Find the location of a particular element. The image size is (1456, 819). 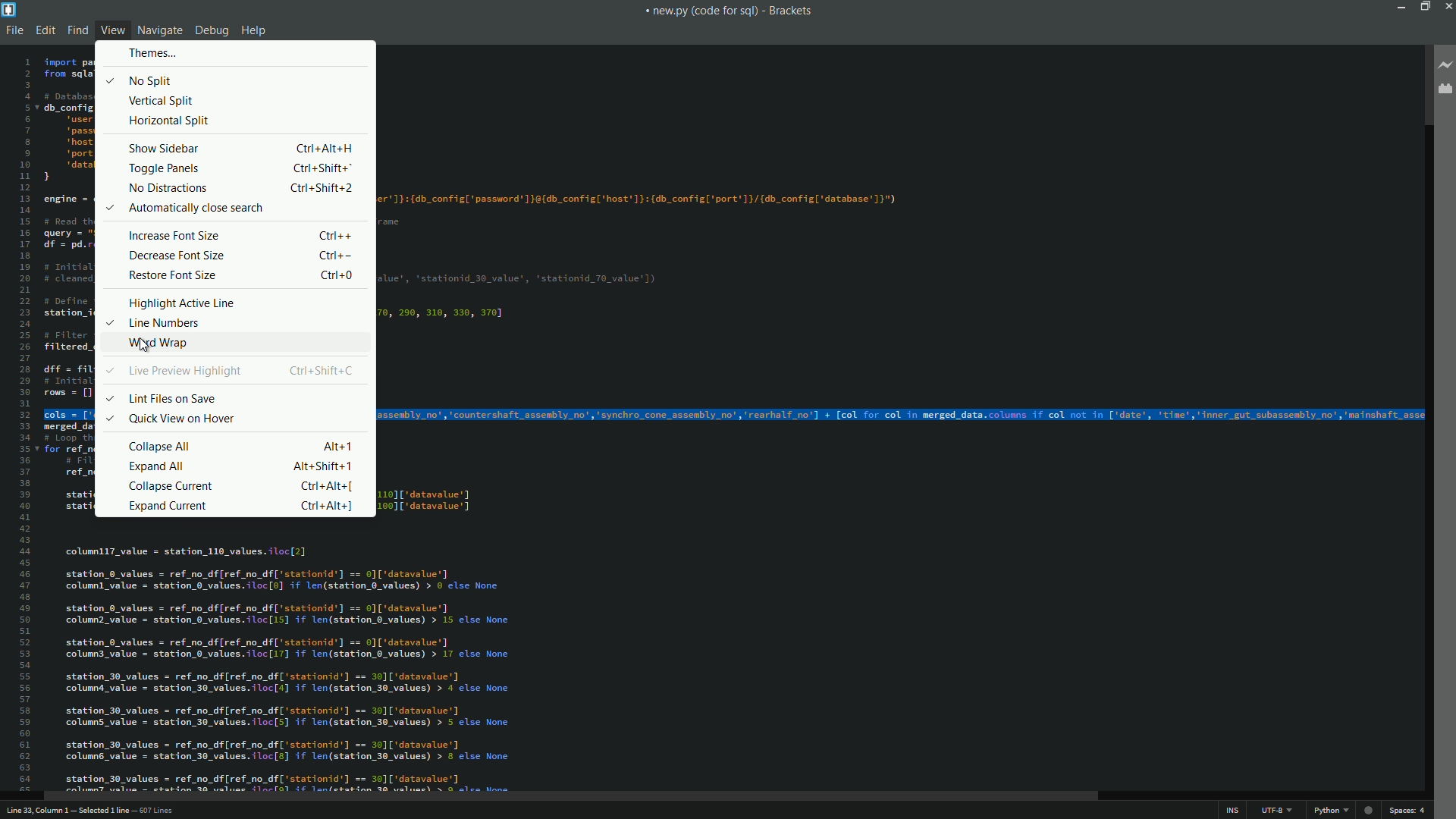

file name is located at coordinates (701, 11).